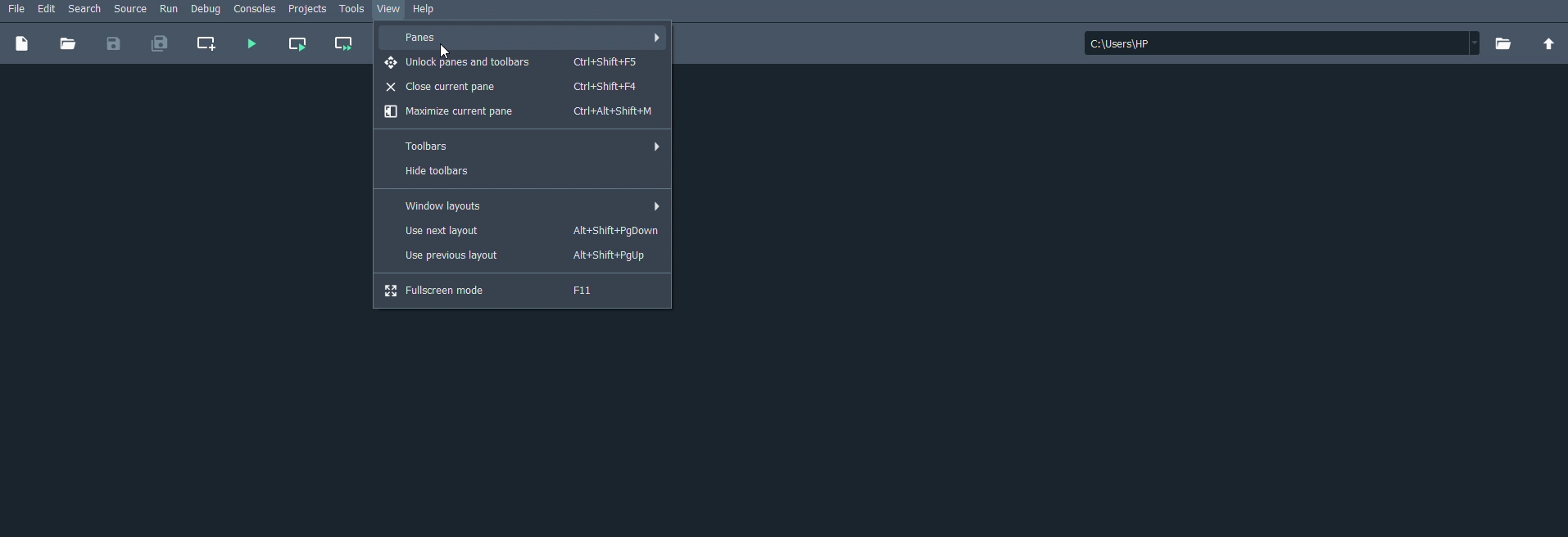  What do you see at coordinates (250, 44) in the screenshot?
I see `Run file` at bounding box center [250, 44].